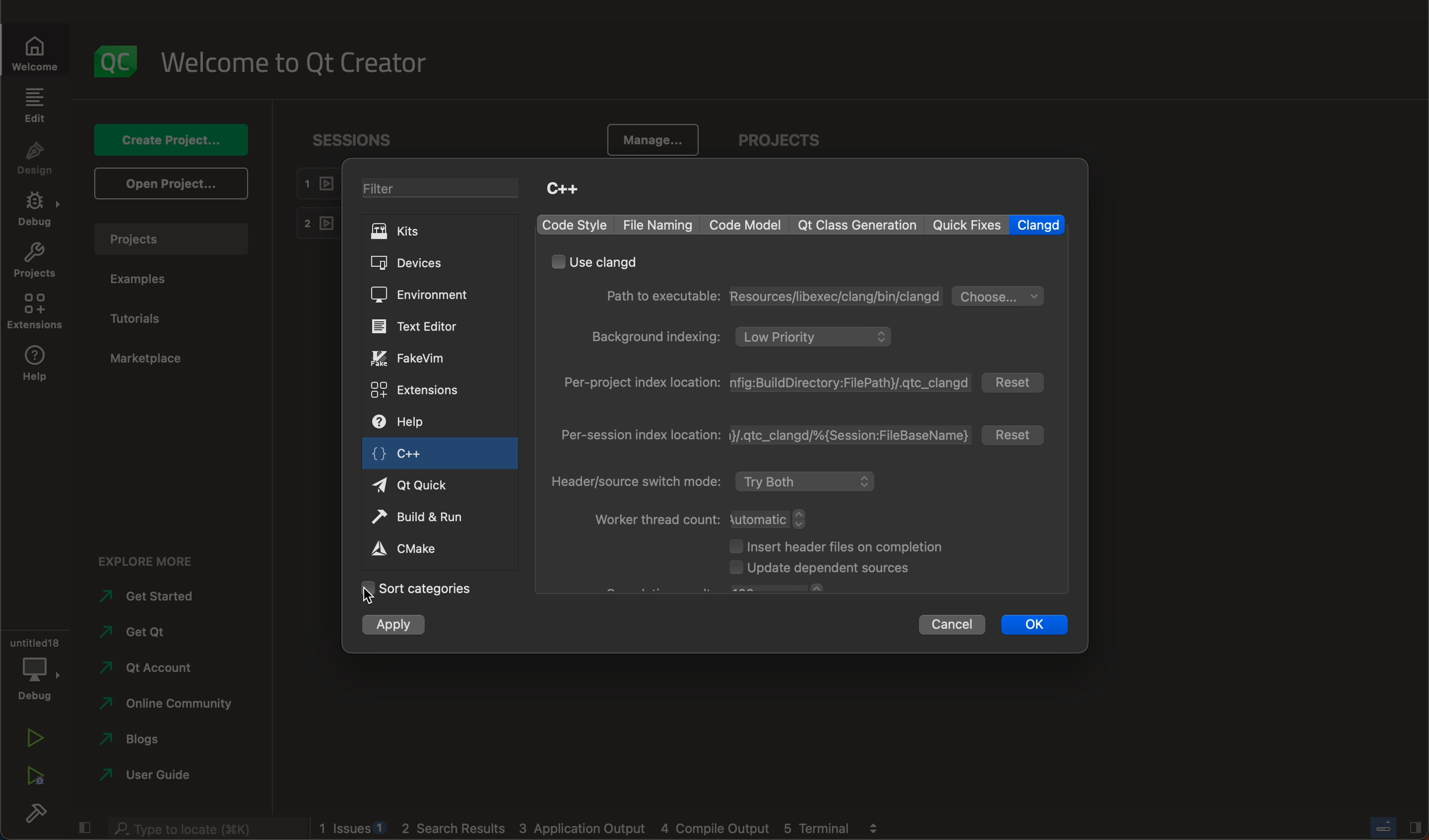 Image resolution: width=1429 pixels, height=840 pixels. I want to click on extentions, so click(423, 391).